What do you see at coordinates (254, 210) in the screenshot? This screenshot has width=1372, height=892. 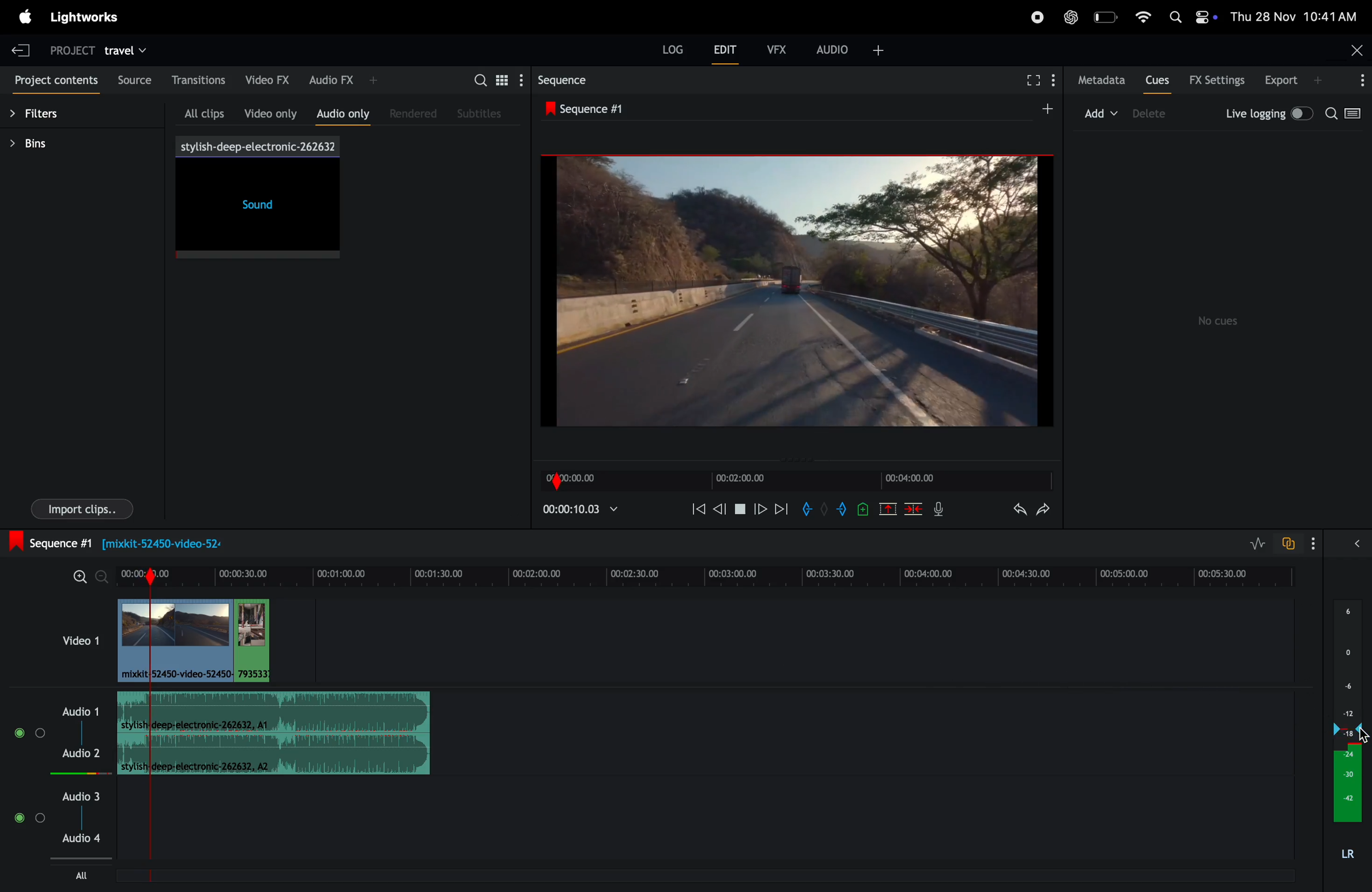 I see `sound` at bounding box center [254, 210].